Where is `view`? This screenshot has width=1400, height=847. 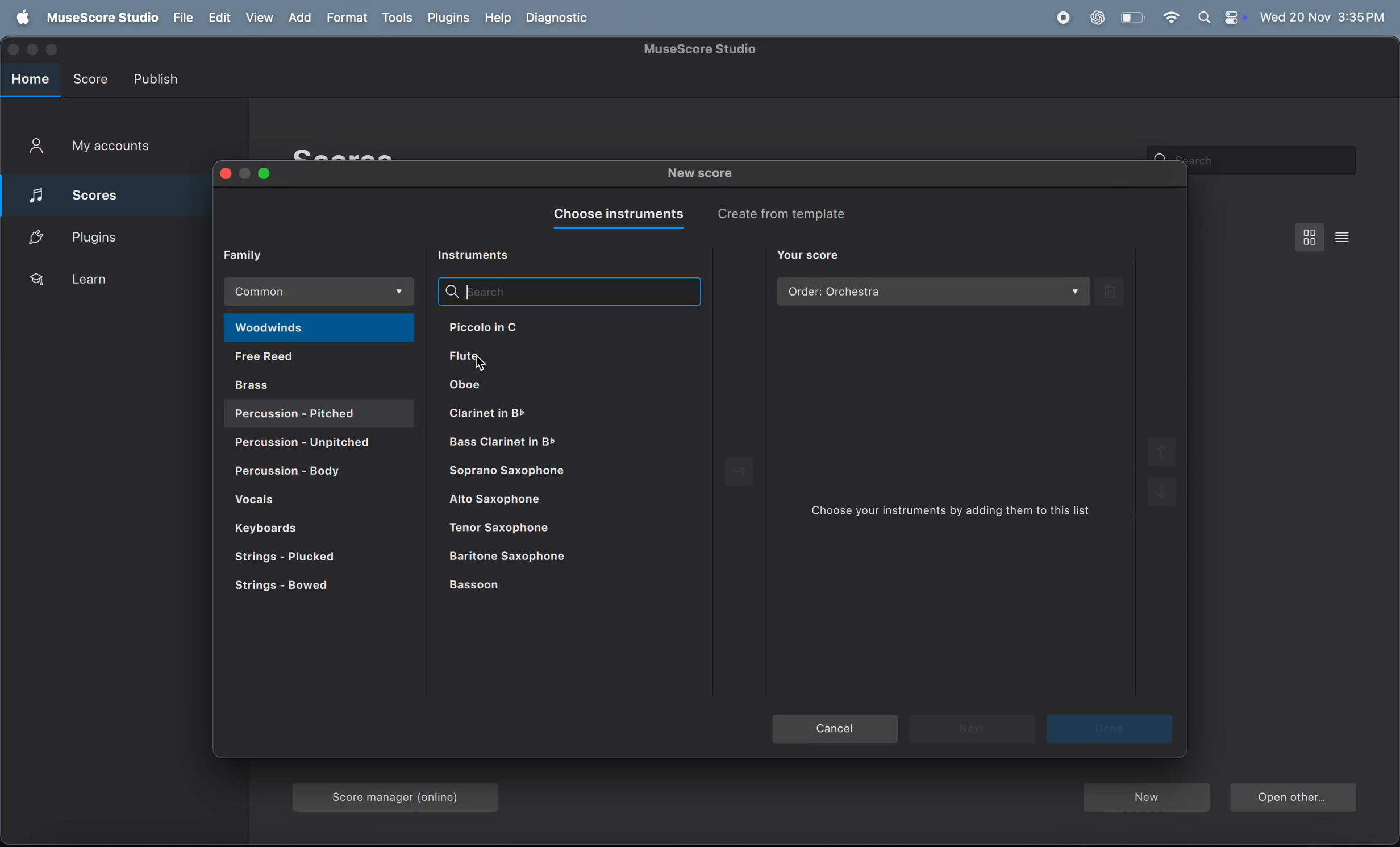
view is located at coordinates (261, 18).